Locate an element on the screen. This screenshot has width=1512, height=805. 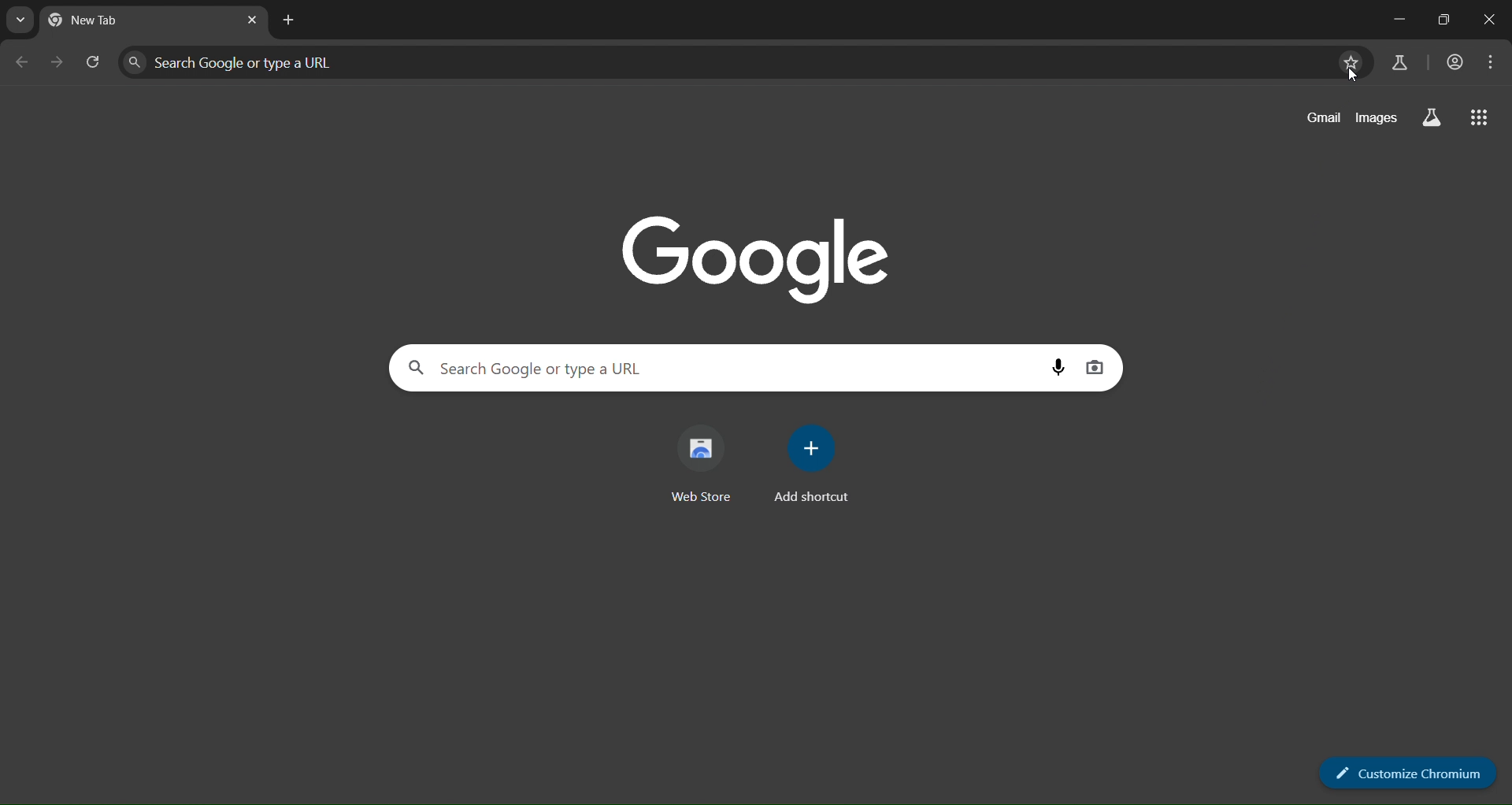
menu is located at coordinates (1490, 63).